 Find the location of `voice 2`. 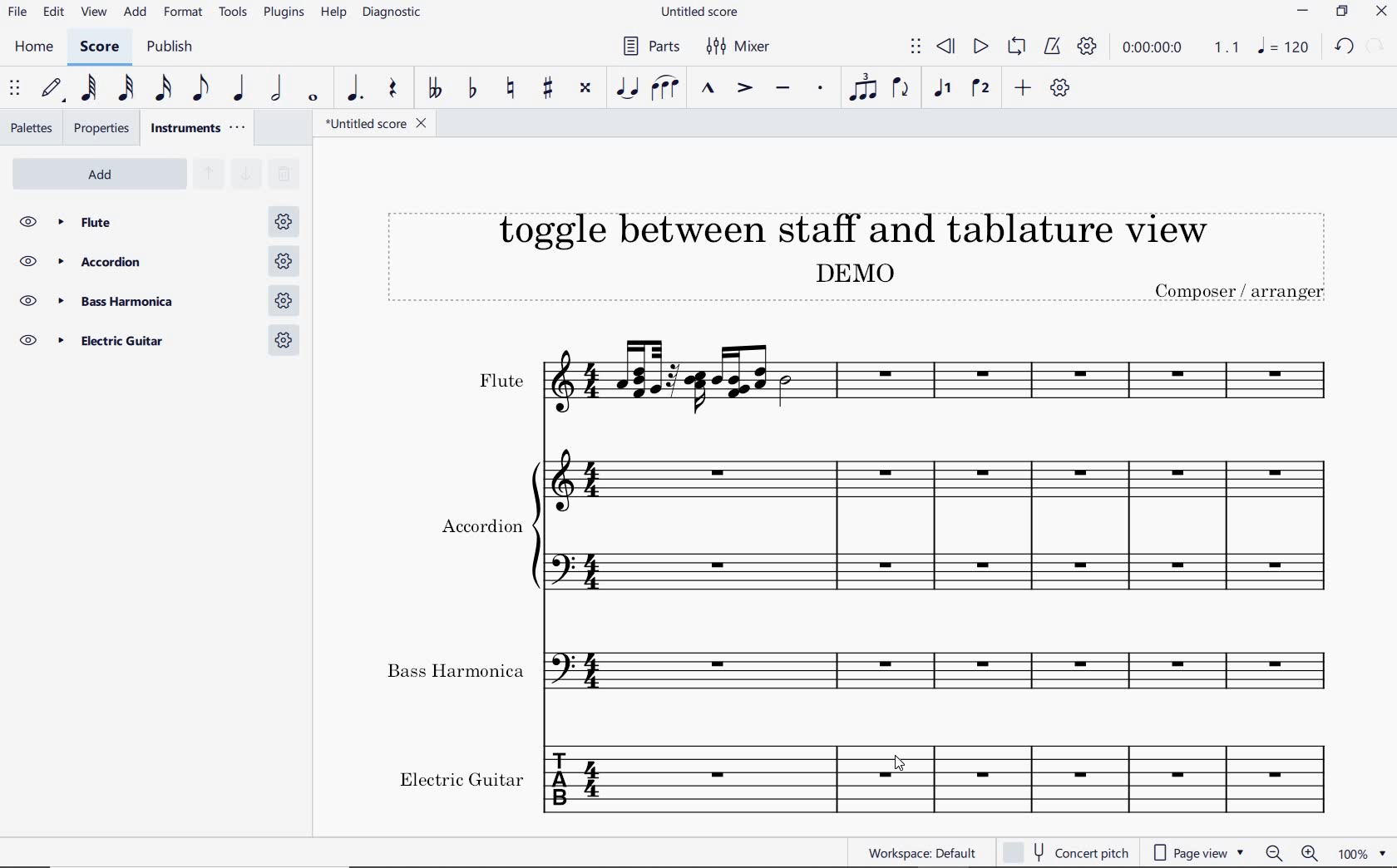

voice 2 is located at coordinates (982, 88).